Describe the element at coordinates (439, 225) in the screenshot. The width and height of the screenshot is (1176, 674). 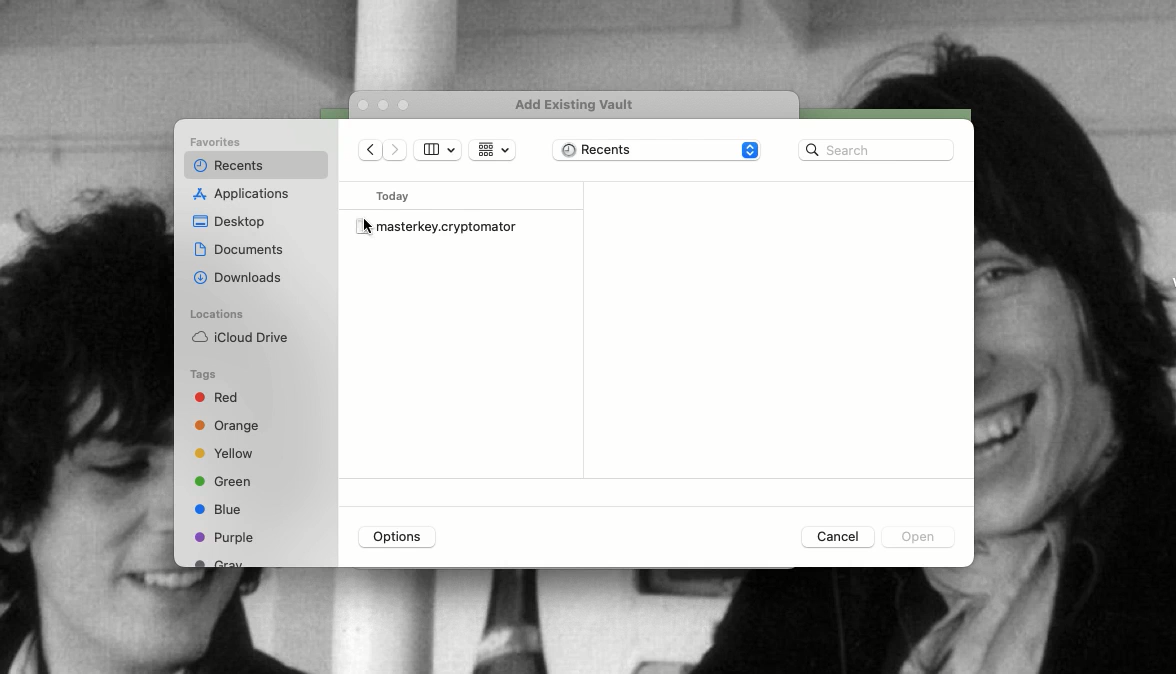
I see `Masterkey.cryptomator` at that location.